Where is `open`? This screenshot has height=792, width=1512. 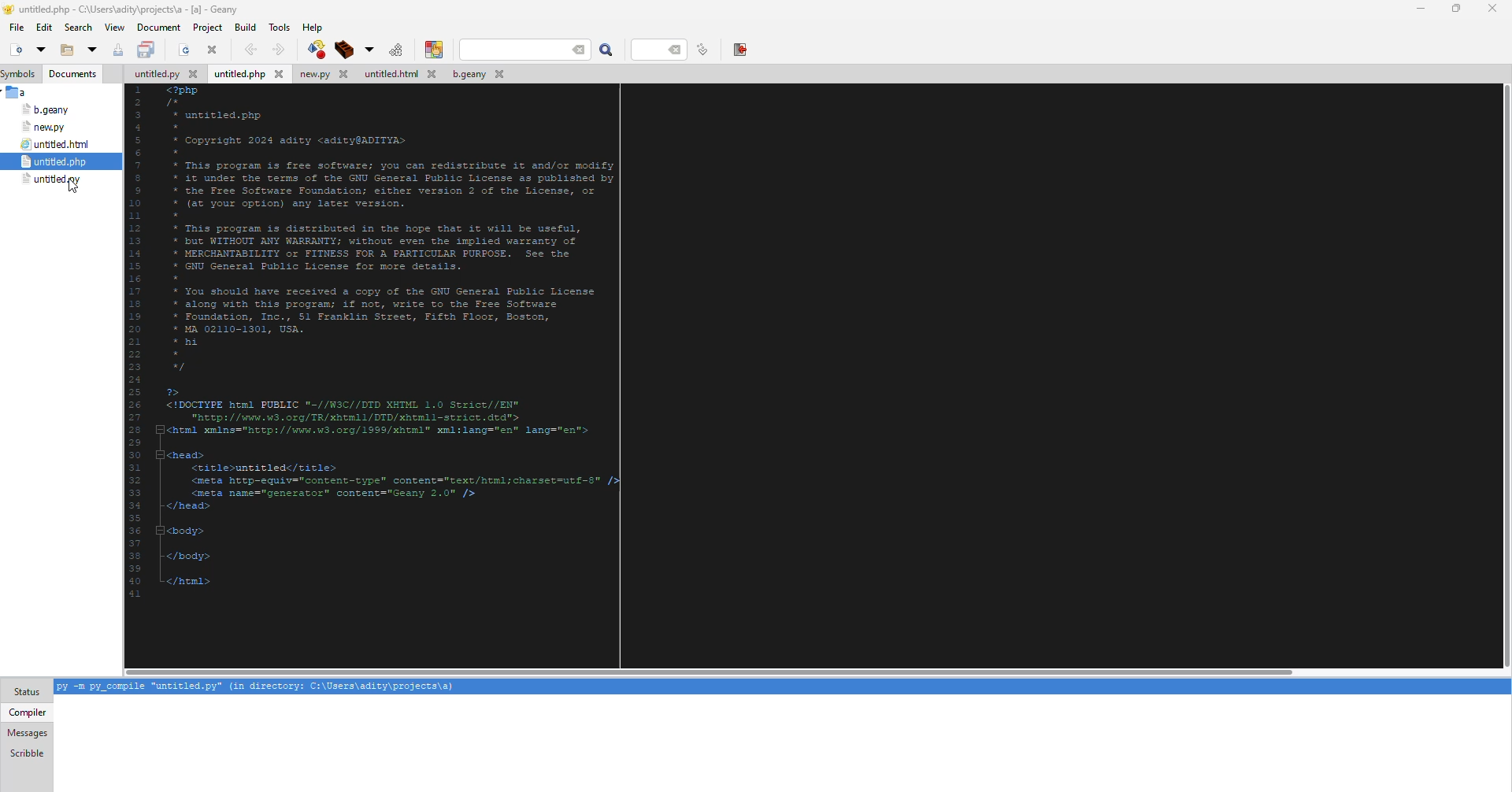
open is located at coordinates (40, 50).